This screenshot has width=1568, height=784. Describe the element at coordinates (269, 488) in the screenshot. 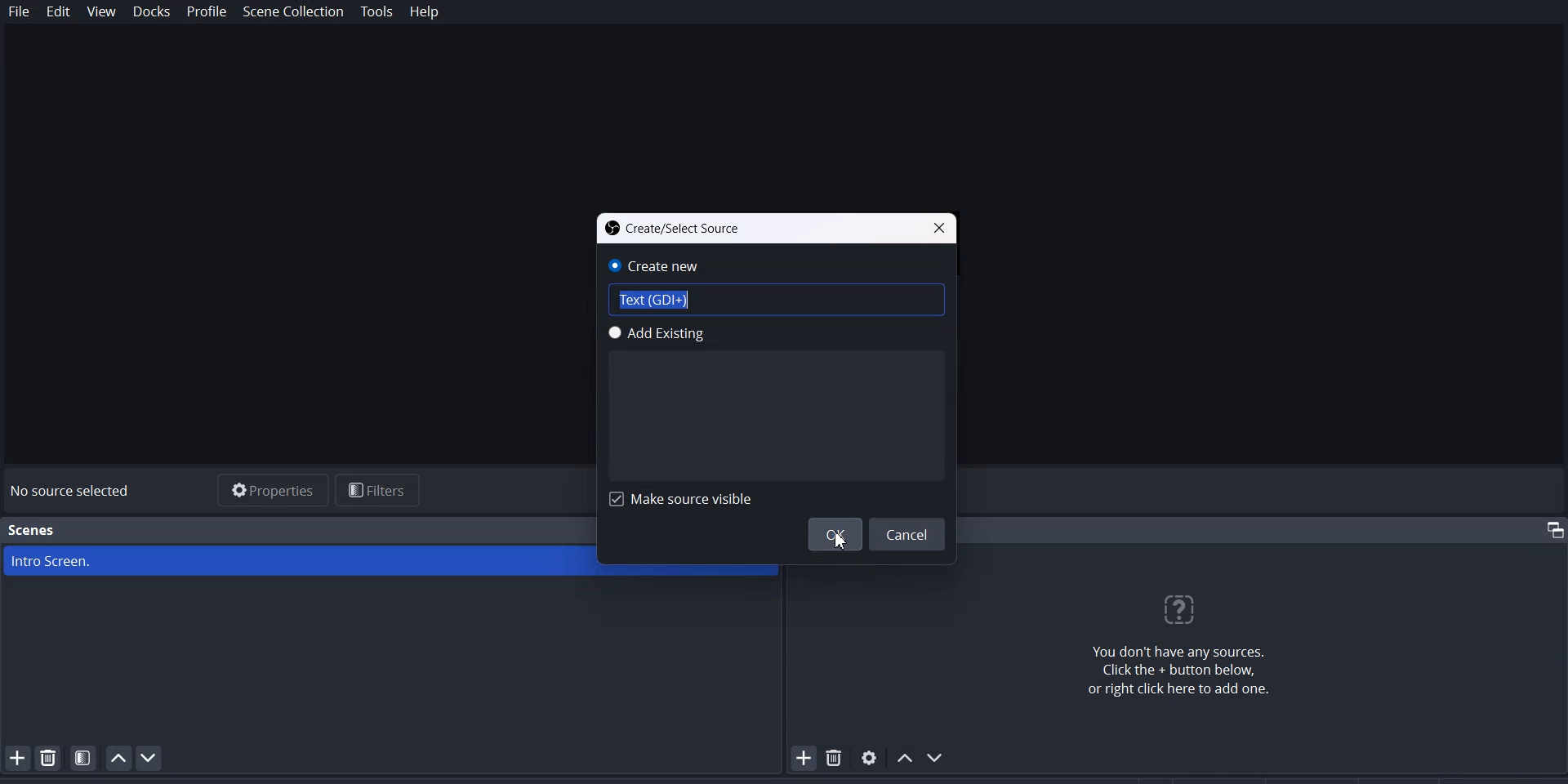

I see `Properties` at that location.